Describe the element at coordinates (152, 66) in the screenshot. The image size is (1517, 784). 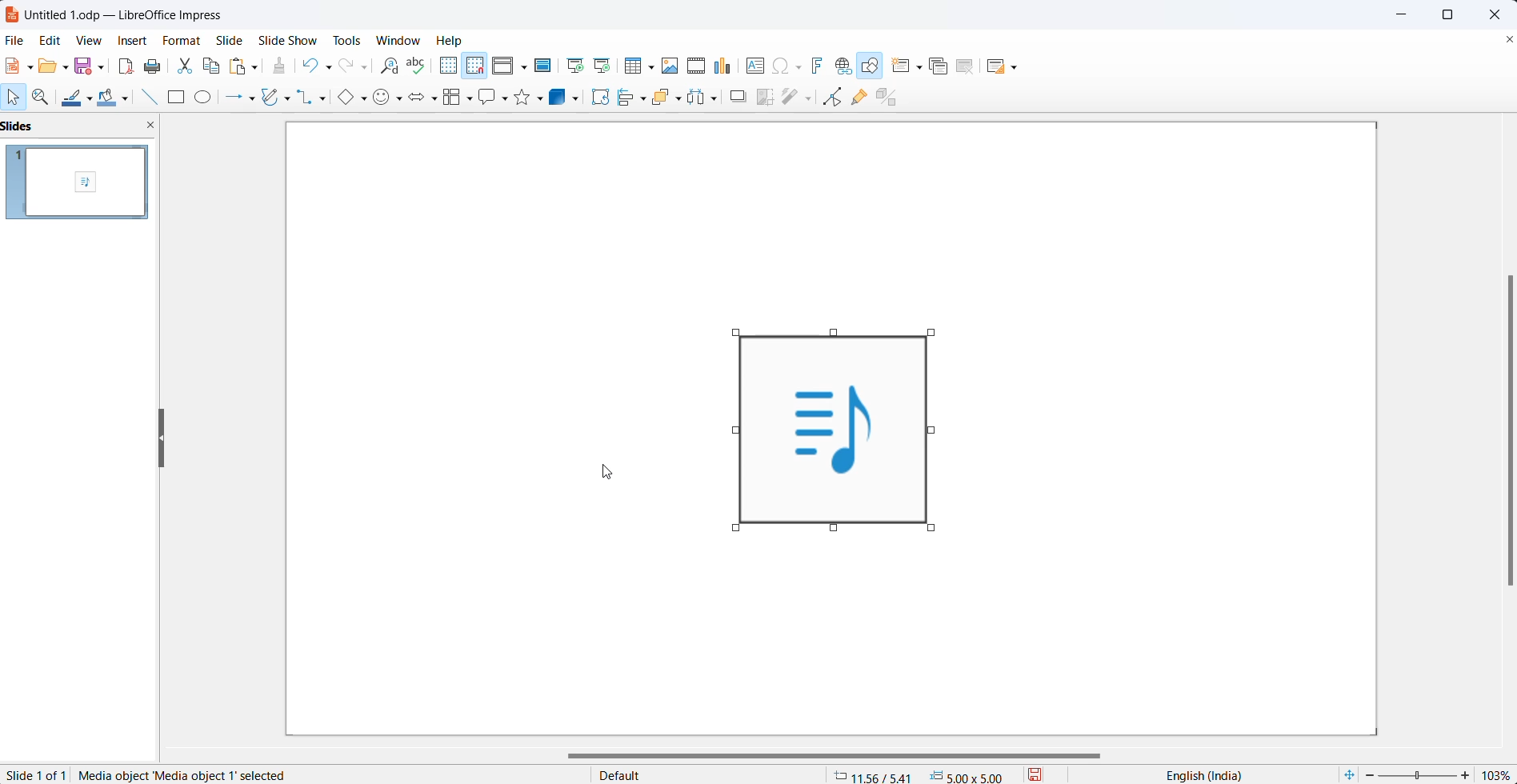
I see `print` at that location.